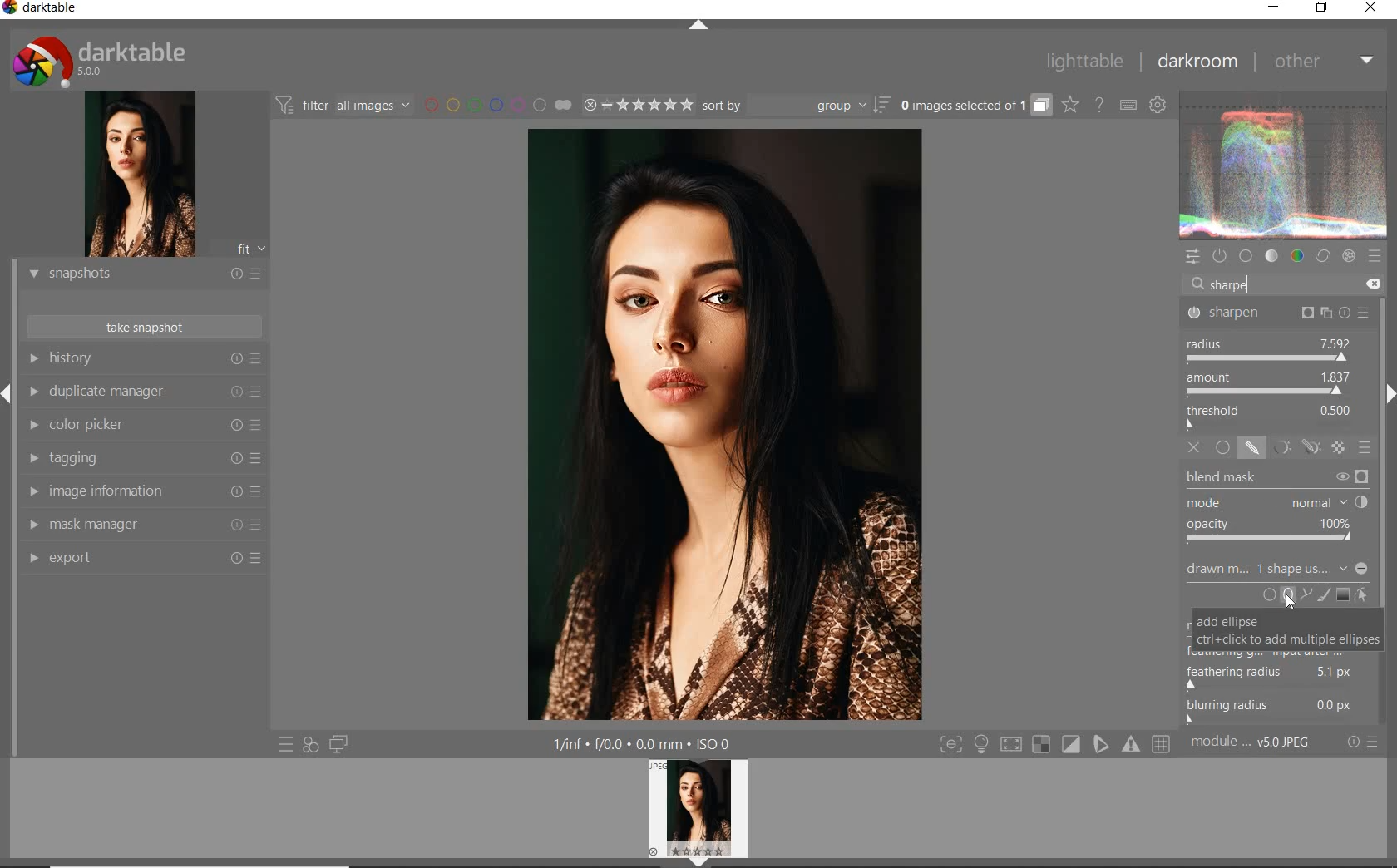 This screenshot has height=868, width=1397. I want to click on change overlays shown on thumbnails, so click(1069, 106).